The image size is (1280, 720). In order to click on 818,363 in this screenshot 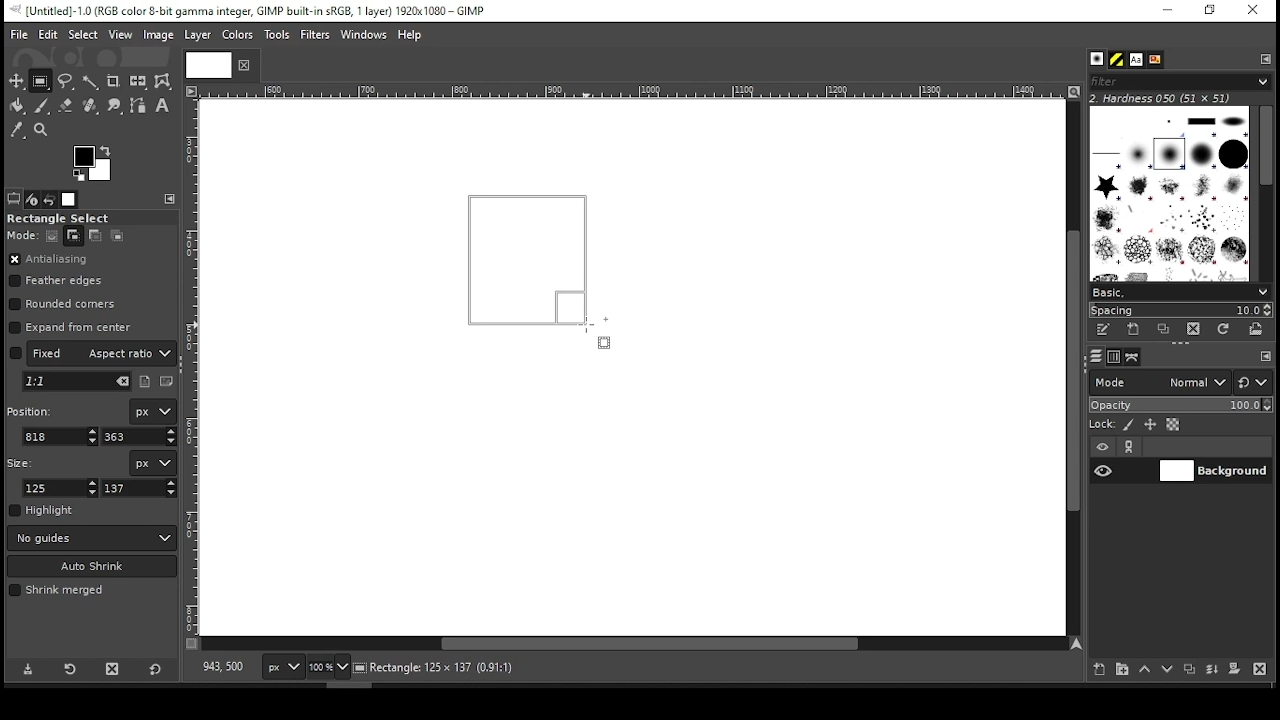, I will do `click(221, 667)`.